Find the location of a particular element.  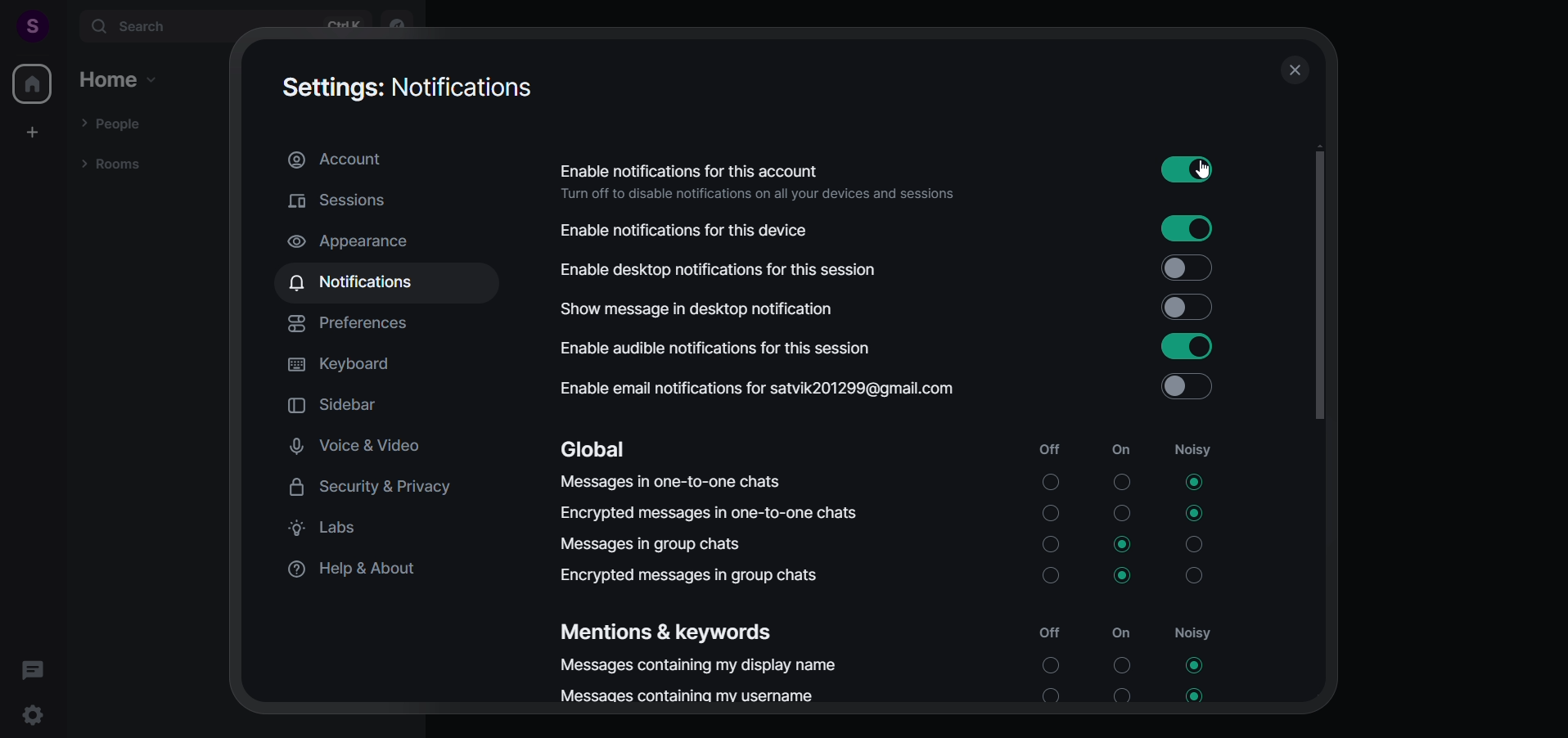

global is located at coordinates (610, 443).